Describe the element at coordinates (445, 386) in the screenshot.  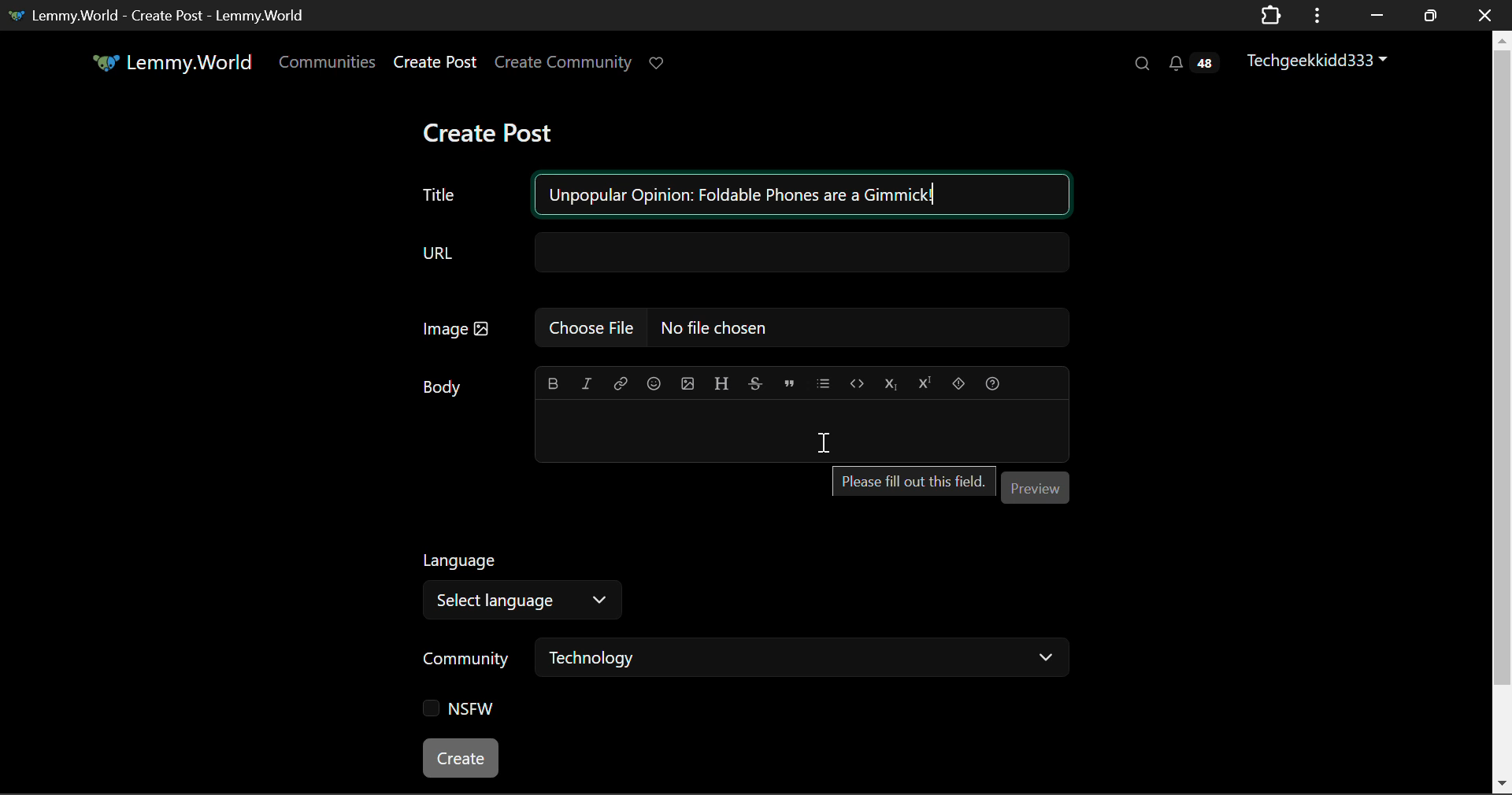
I see `Body` at that location.